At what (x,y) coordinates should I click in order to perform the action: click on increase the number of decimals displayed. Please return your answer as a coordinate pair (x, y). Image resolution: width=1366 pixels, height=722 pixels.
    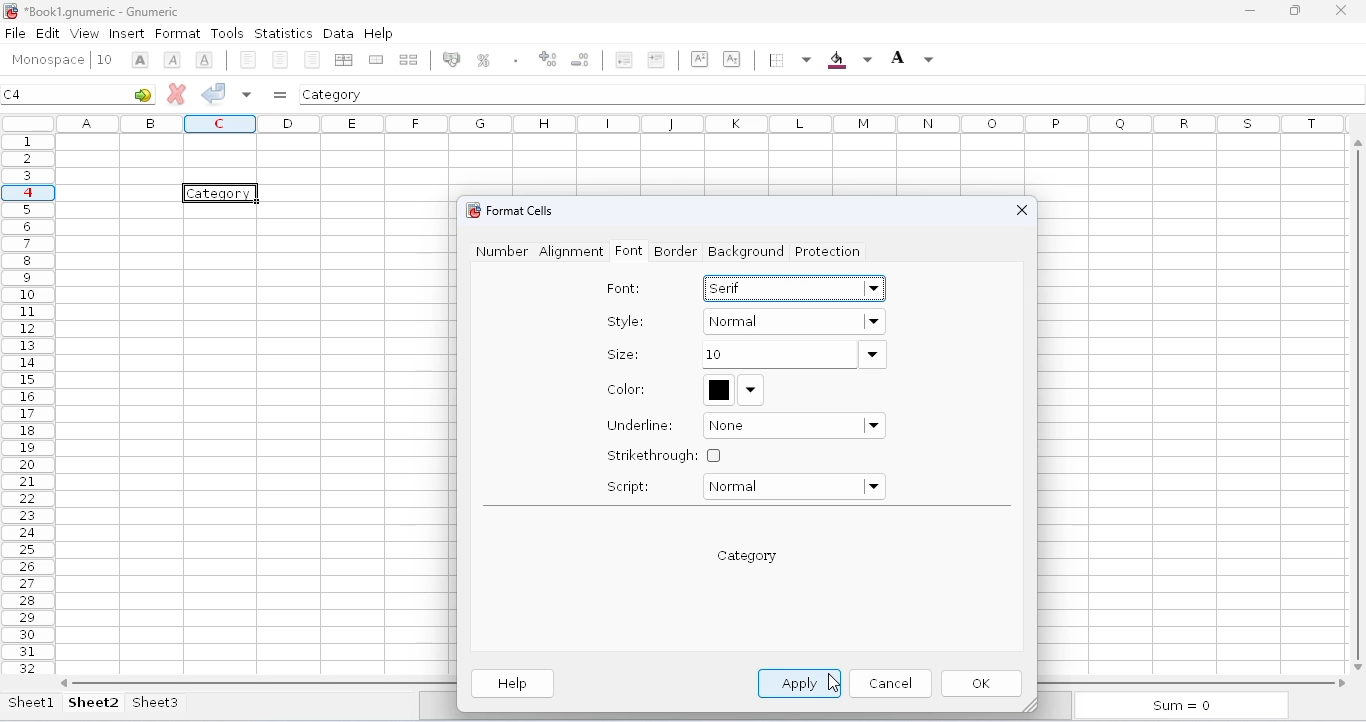
    Looking at the image, I should click on (548, 59).